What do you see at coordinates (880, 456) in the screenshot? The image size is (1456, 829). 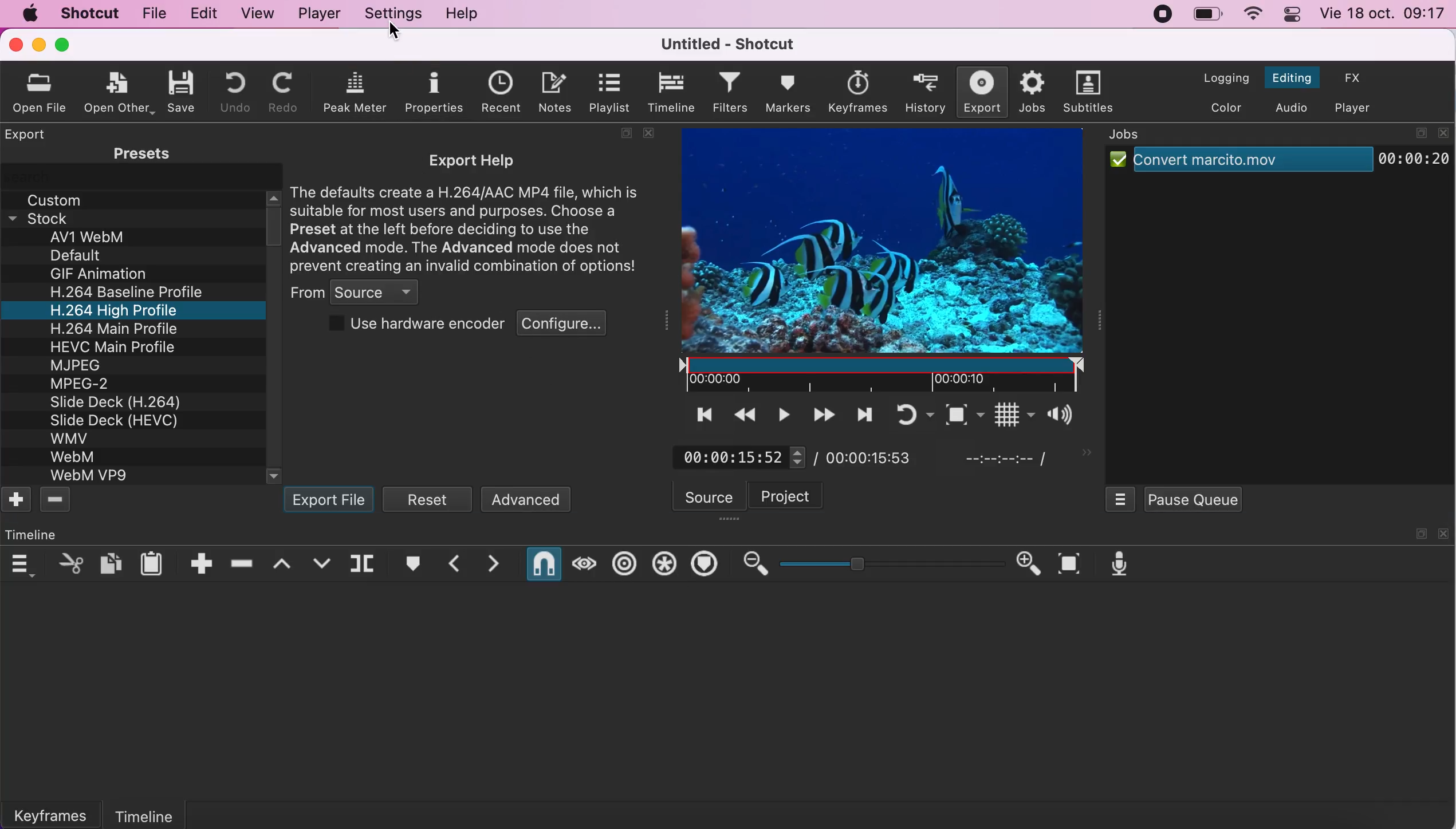 I see `total duration` at bounding box center [880, 456].